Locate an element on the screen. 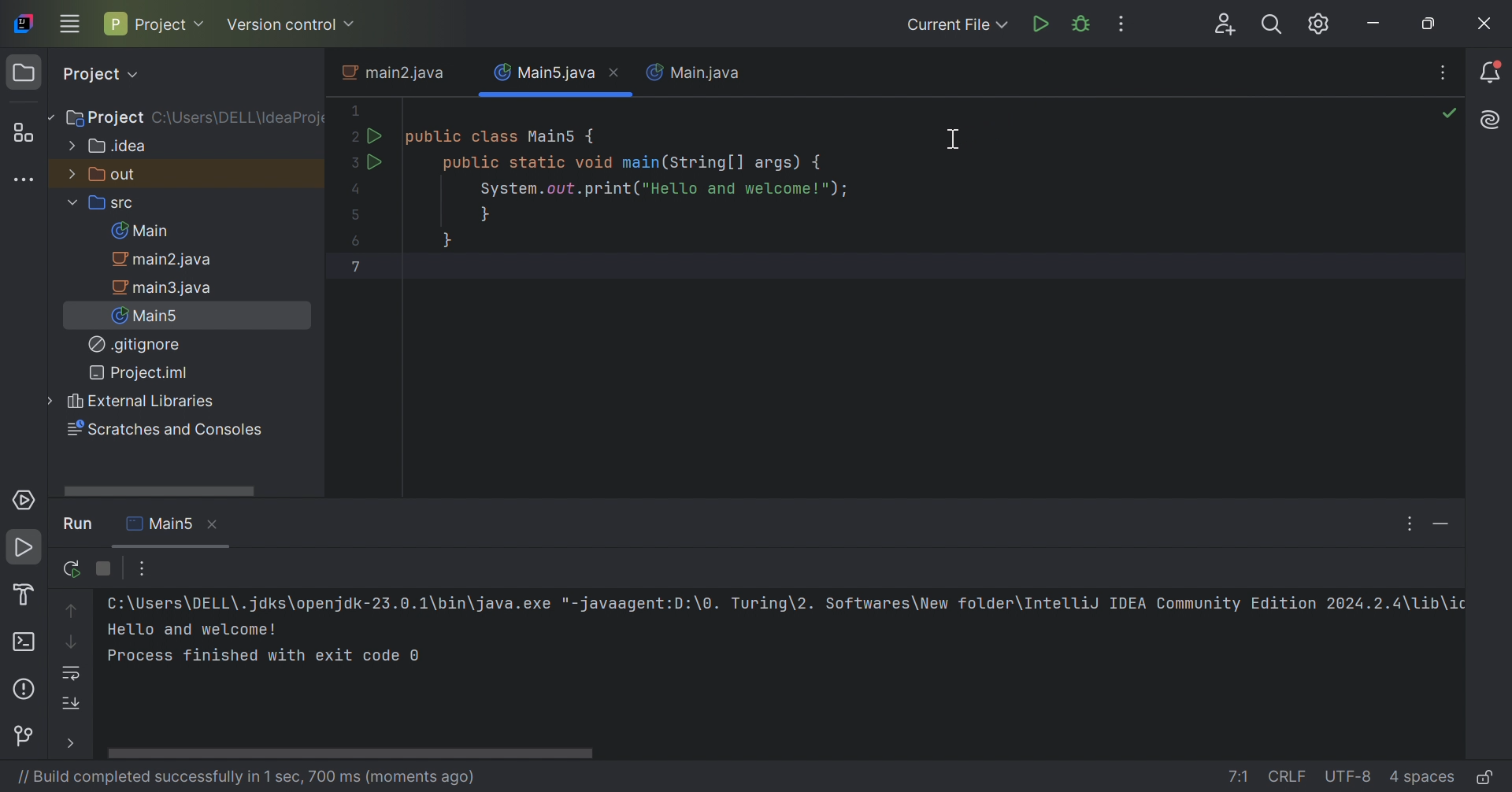 The image size is (1512, 792). Rerun 'Main5' is located at coordinates (73, 568).